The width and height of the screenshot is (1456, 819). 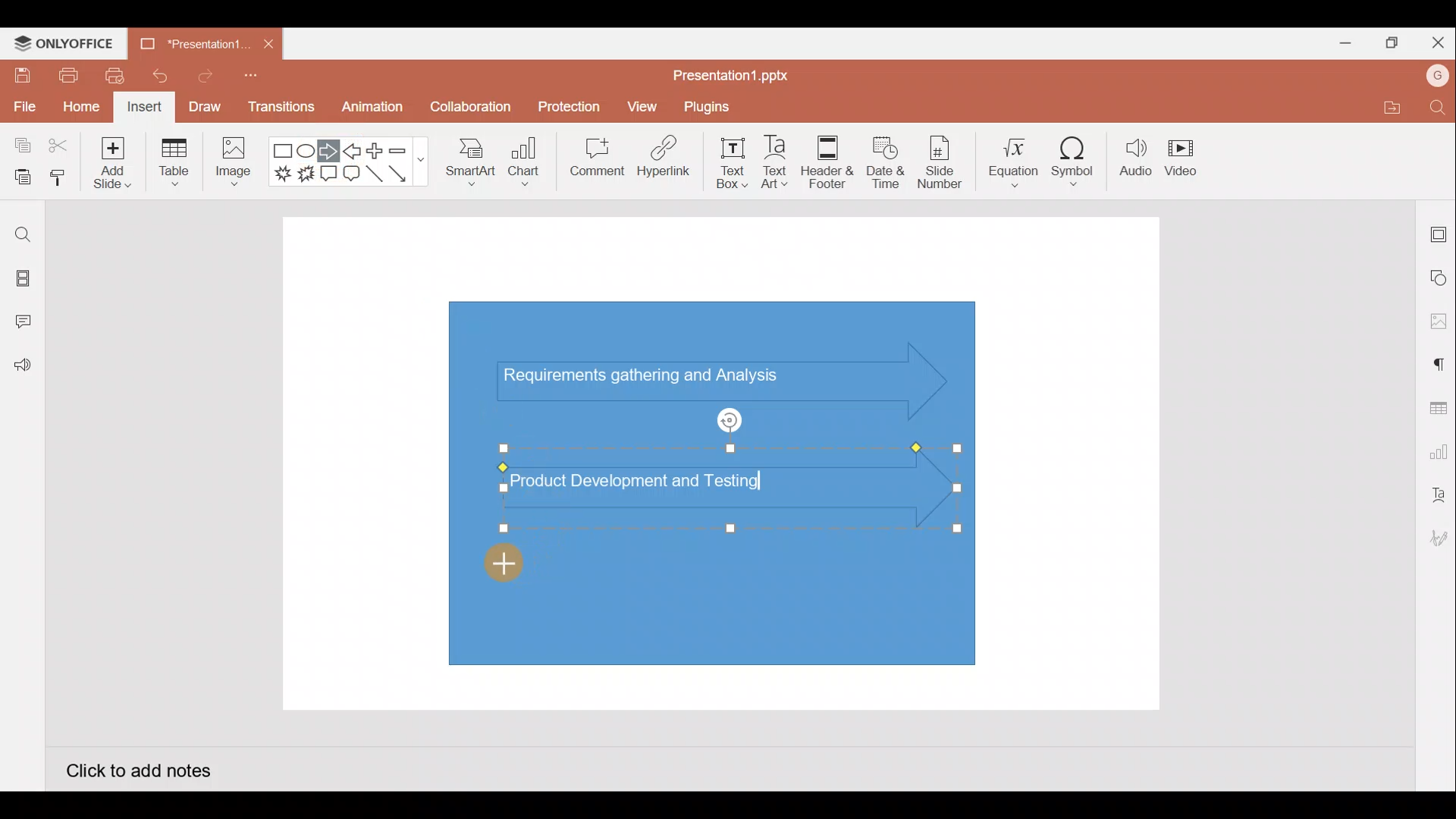 What do you see at coordinates (59, 146) in the screenshot?
I see `Cut` at bounding box center [59, 146].